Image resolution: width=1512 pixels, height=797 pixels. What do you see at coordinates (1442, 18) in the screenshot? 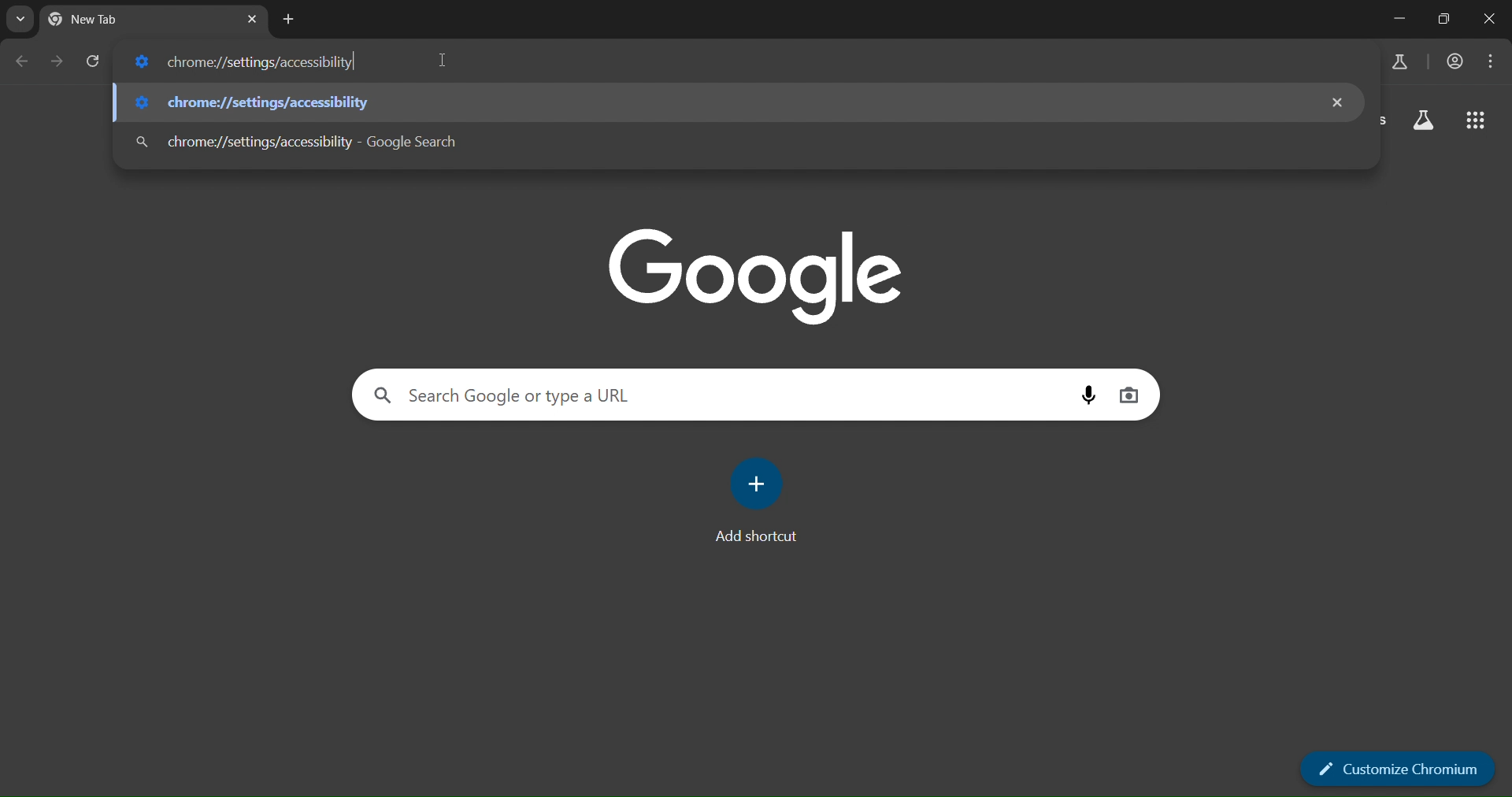
I see `restore down` at bounding box center [1442, 18].